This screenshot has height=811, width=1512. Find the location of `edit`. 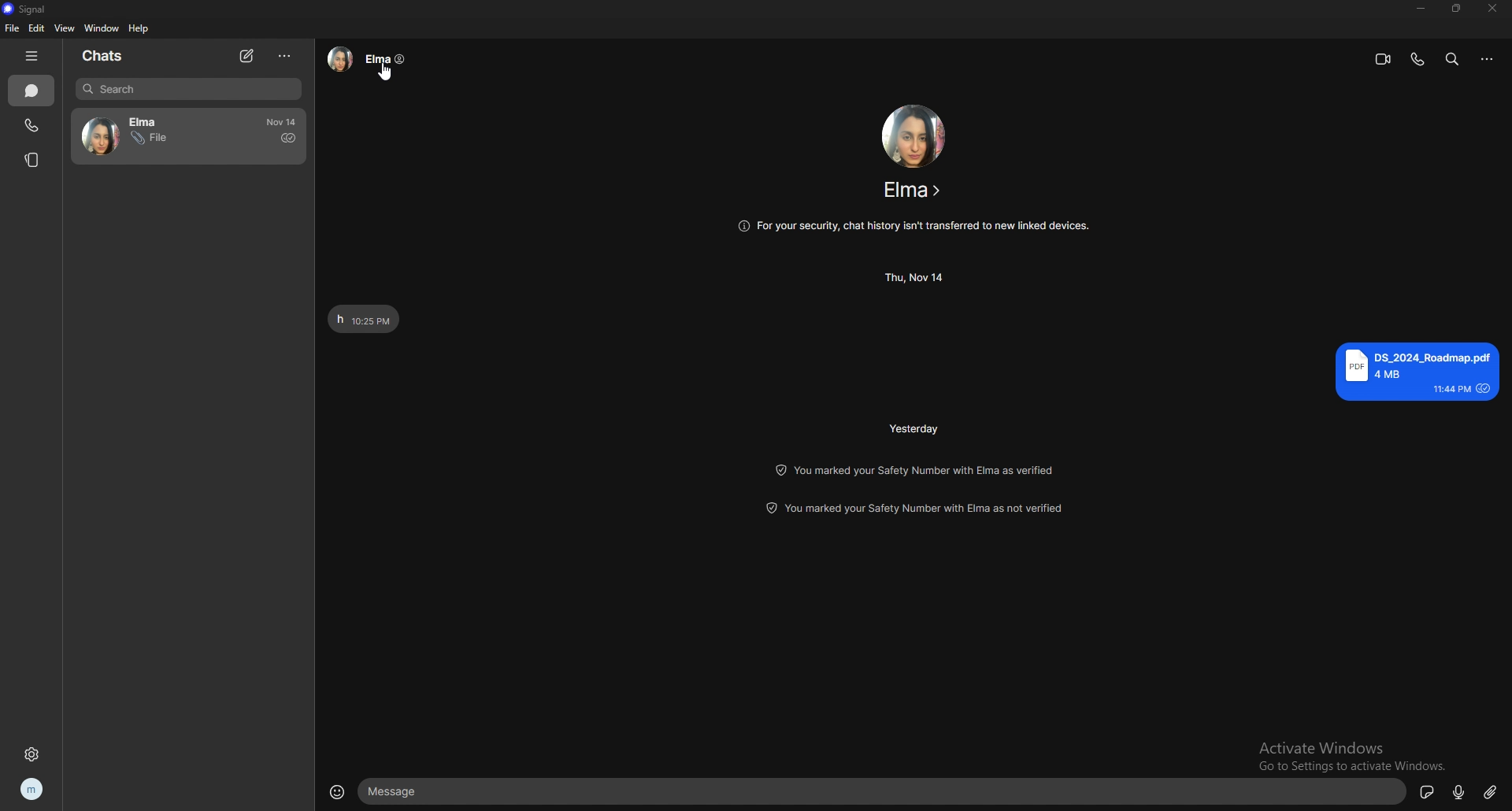

edit is located at coordinates (39, 28).